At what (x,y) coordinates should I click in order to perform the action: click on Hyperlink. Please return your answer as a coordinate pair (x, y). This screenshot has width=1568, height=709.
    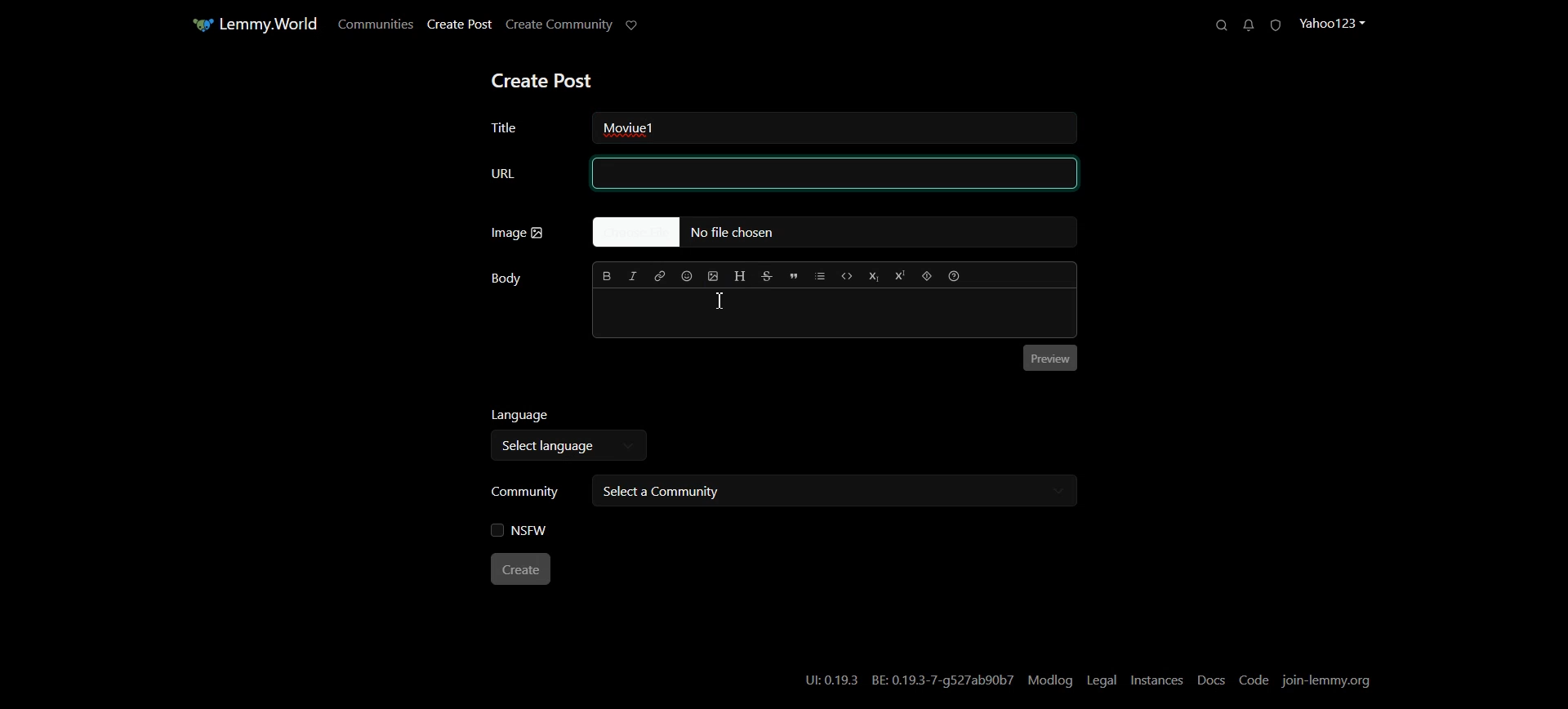
    Looking at the image, I should click on (661, 276).